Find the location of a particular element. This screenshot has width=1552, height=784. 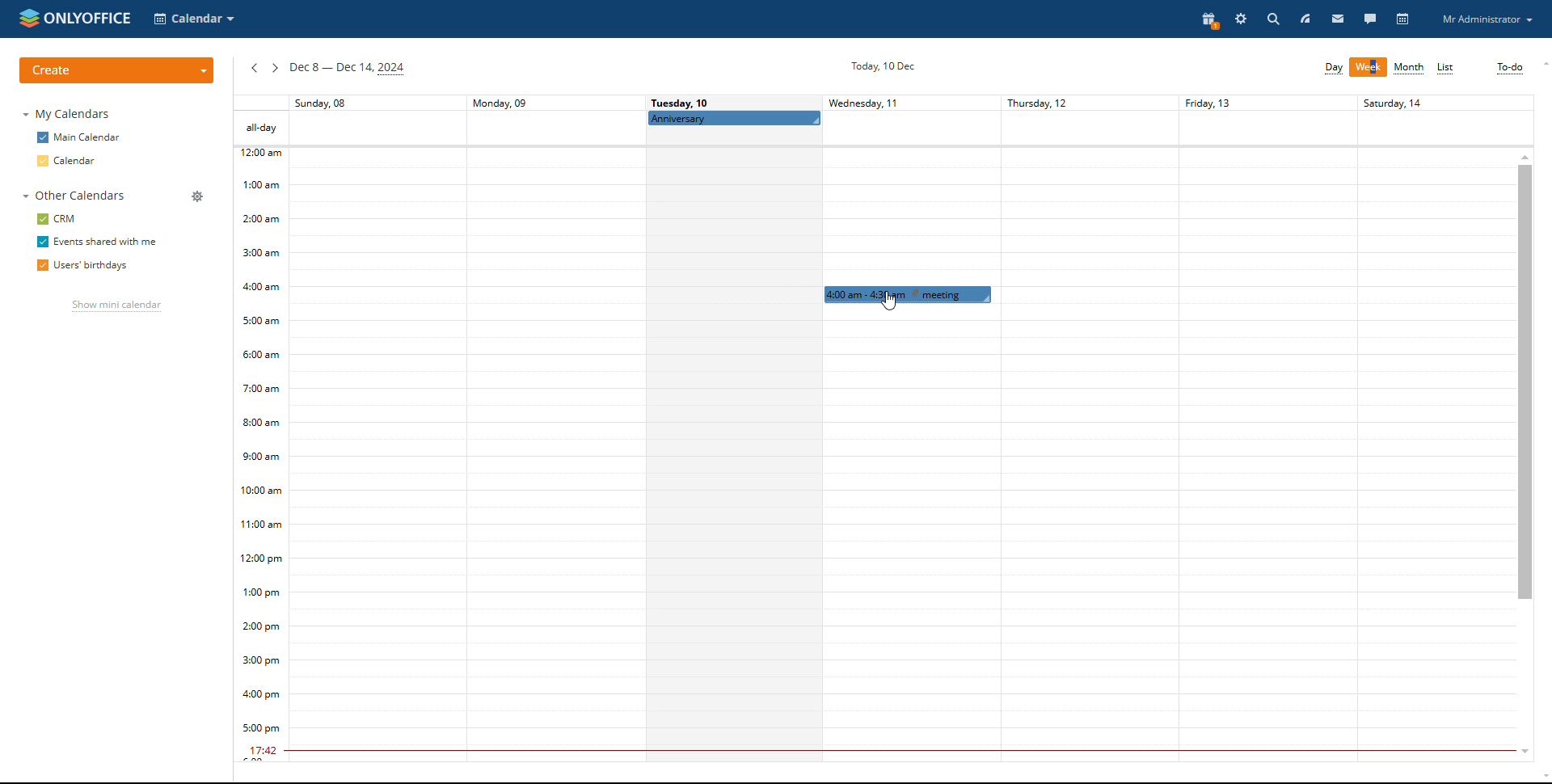

list view is located at coordinates (1447, 69).